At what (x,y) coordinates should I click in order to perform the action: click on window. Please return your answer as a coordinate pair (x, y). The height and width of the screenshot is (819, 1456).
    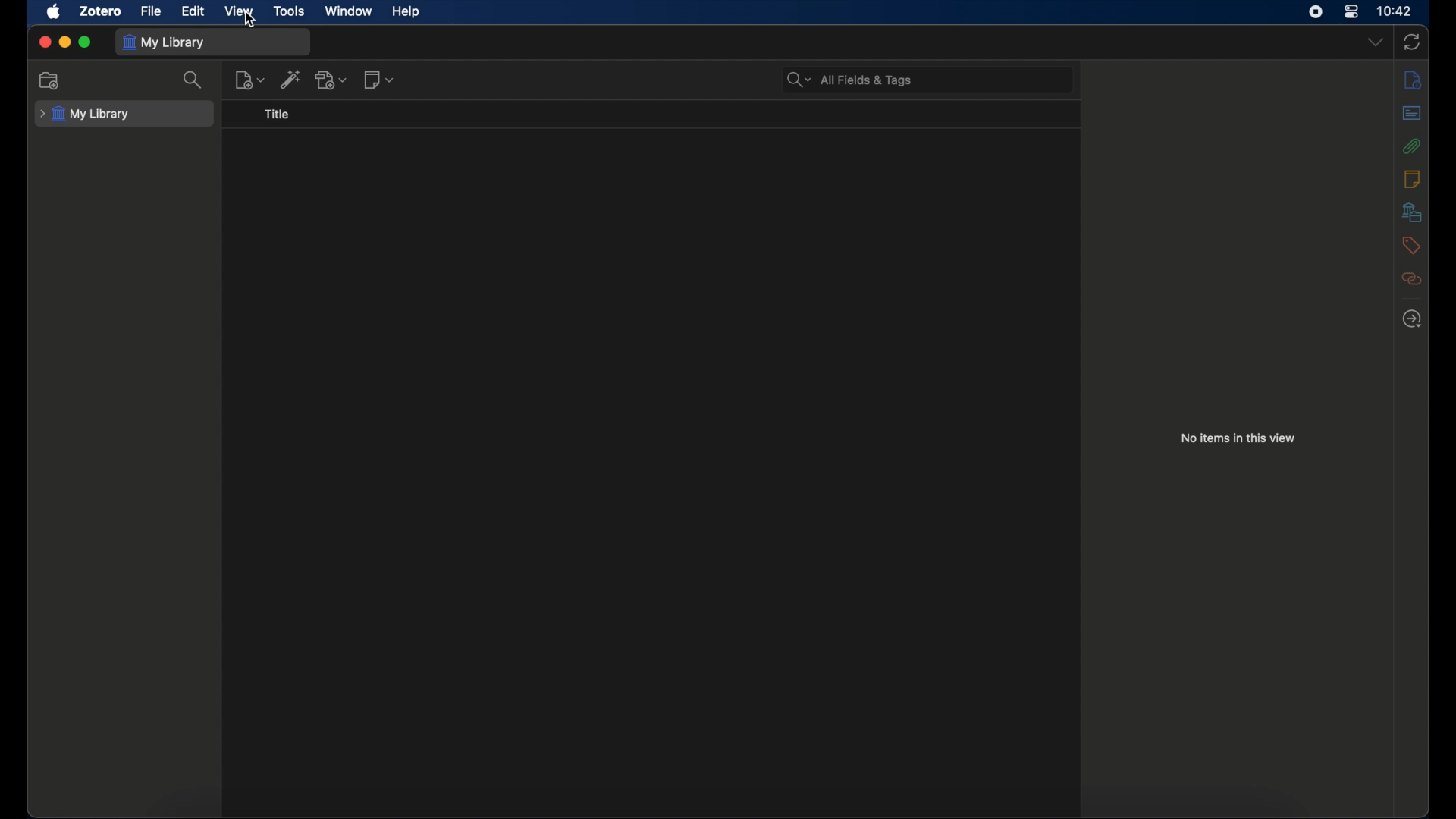
    Looking at the image, I should click on (347, 11).